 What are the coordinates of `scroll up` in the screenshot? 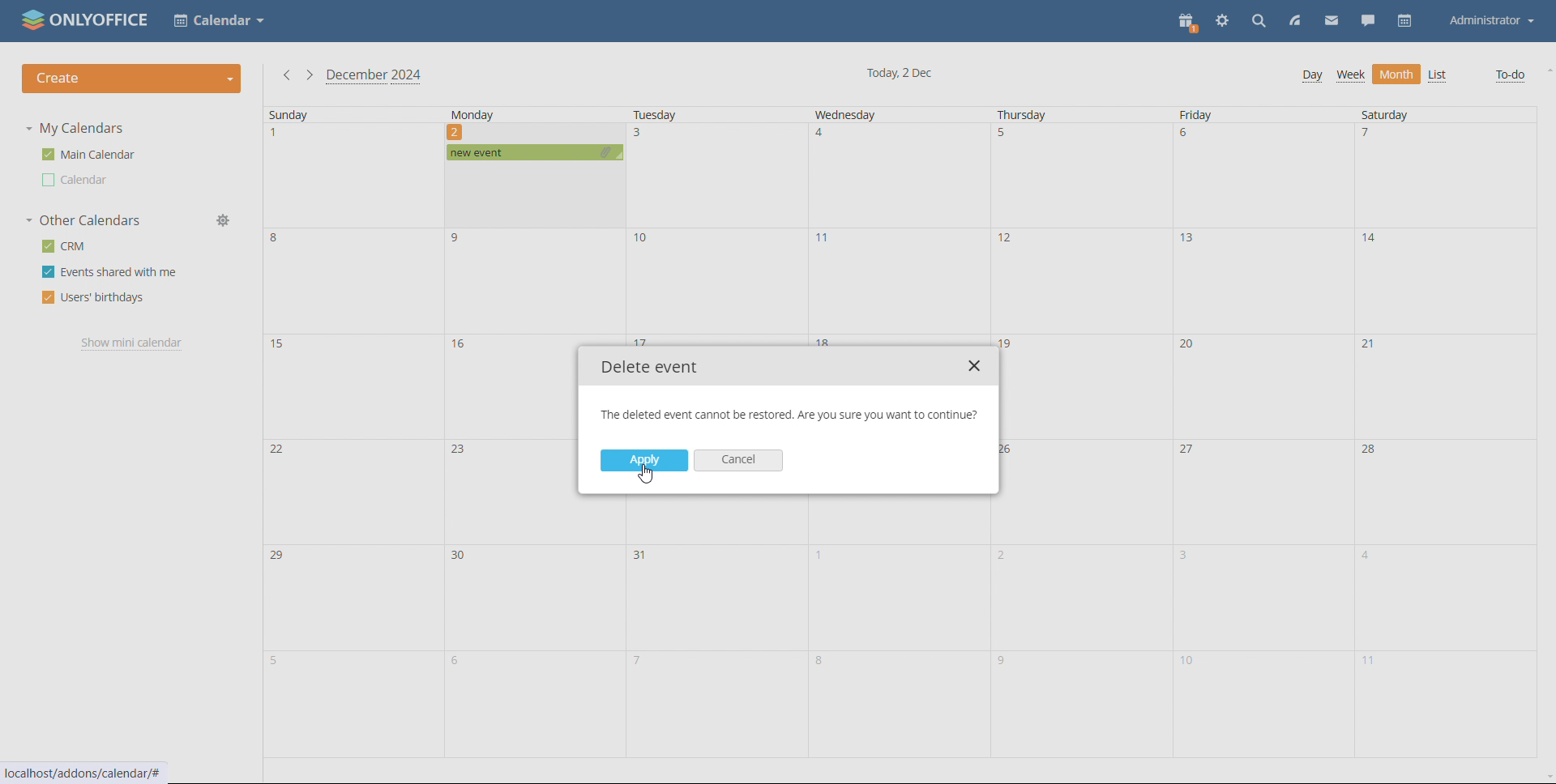 It's located at (1546, 71).